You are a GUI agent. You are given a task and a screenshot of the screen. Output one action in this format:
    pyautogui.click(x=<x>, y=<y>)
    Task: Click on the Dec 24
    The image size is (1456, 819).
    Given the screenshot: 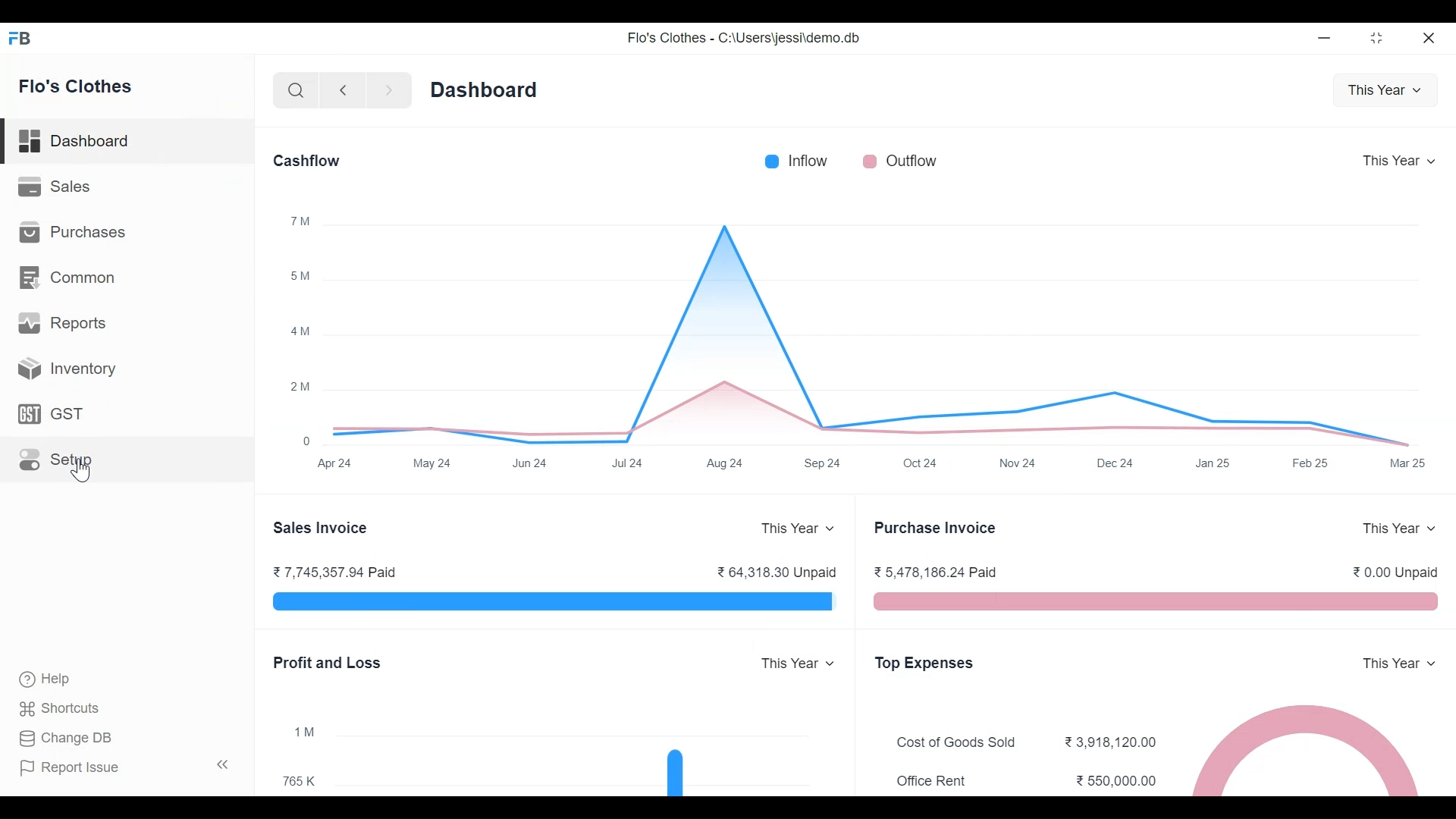 What is the action you would take?
    pyautogui.click(x=1122, y=464)
    